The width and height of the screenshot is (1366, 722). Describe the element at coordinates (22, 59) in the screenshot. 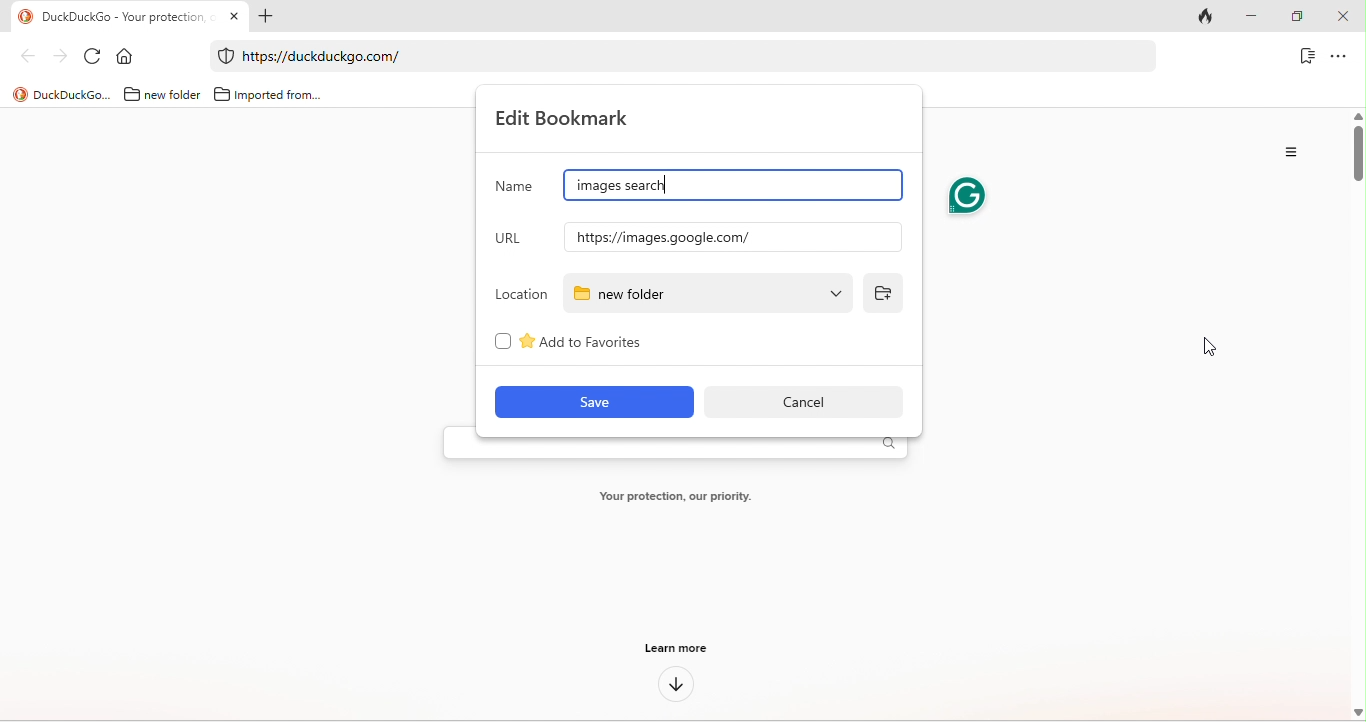

I see `back` at that location.